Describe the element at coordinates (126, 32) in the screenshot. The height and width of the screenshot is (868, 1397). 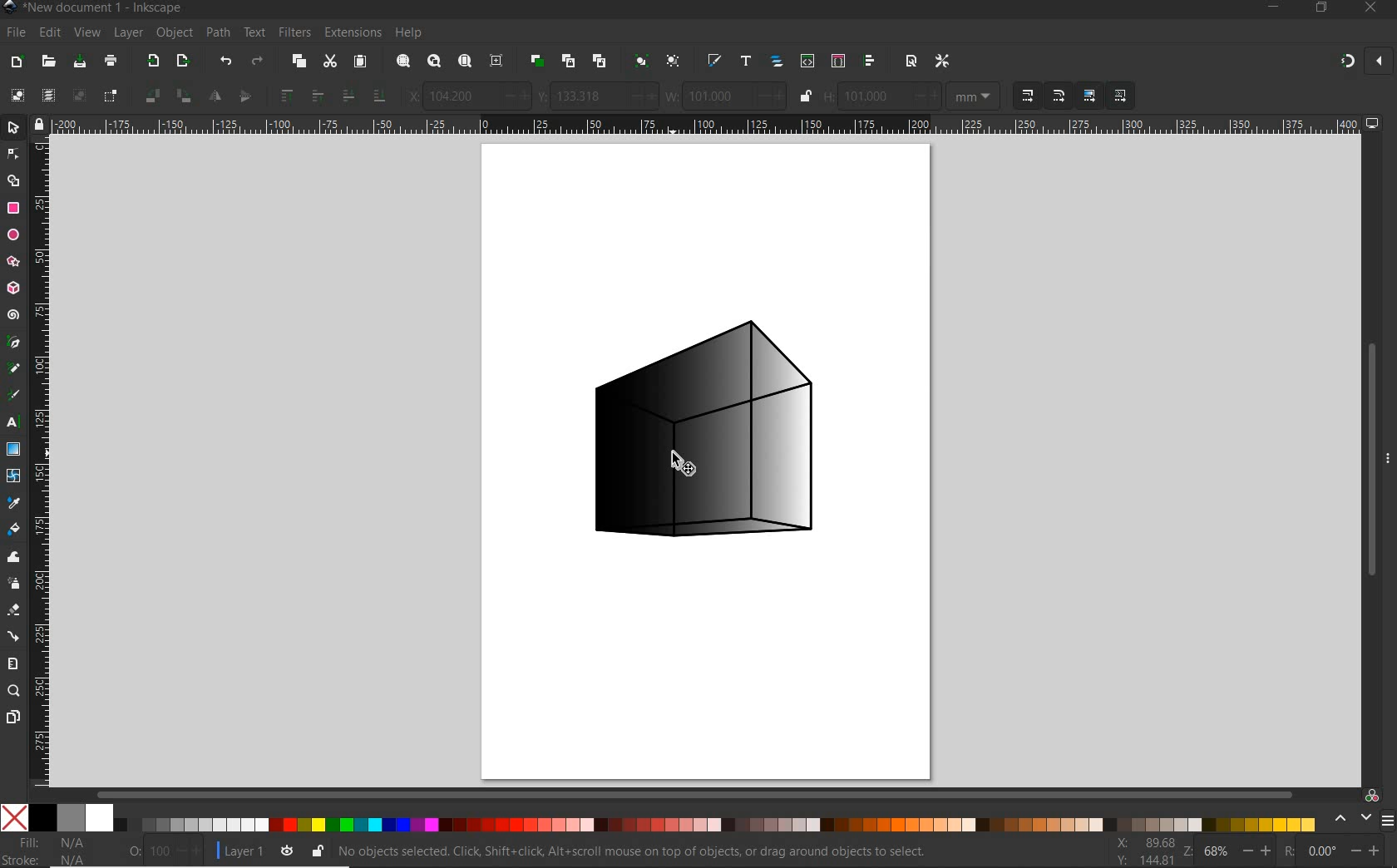
I see `LAYER` at that location.